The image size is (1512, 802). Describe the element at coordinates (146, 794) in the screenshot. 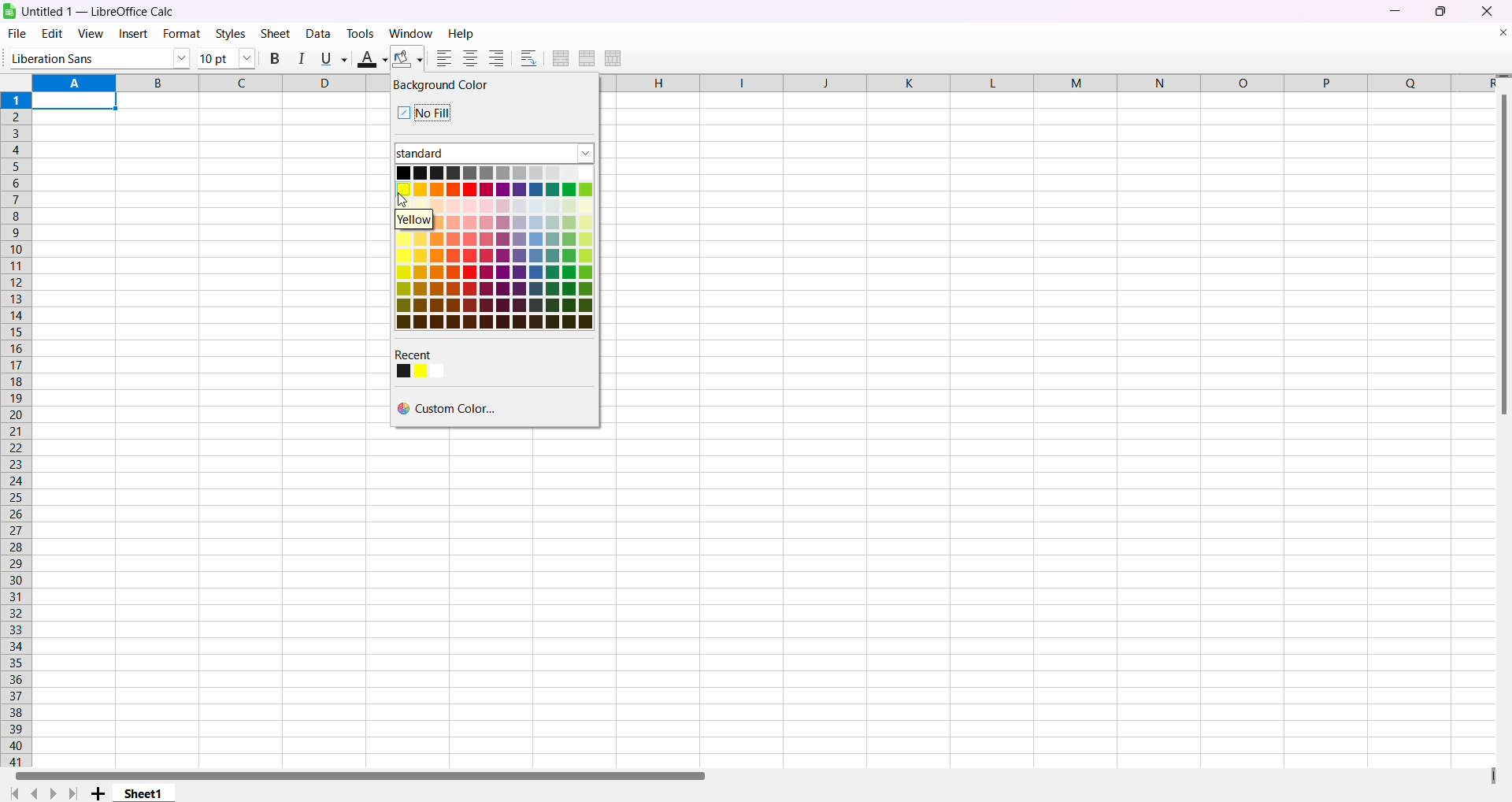

I see `sheet1` at that location.